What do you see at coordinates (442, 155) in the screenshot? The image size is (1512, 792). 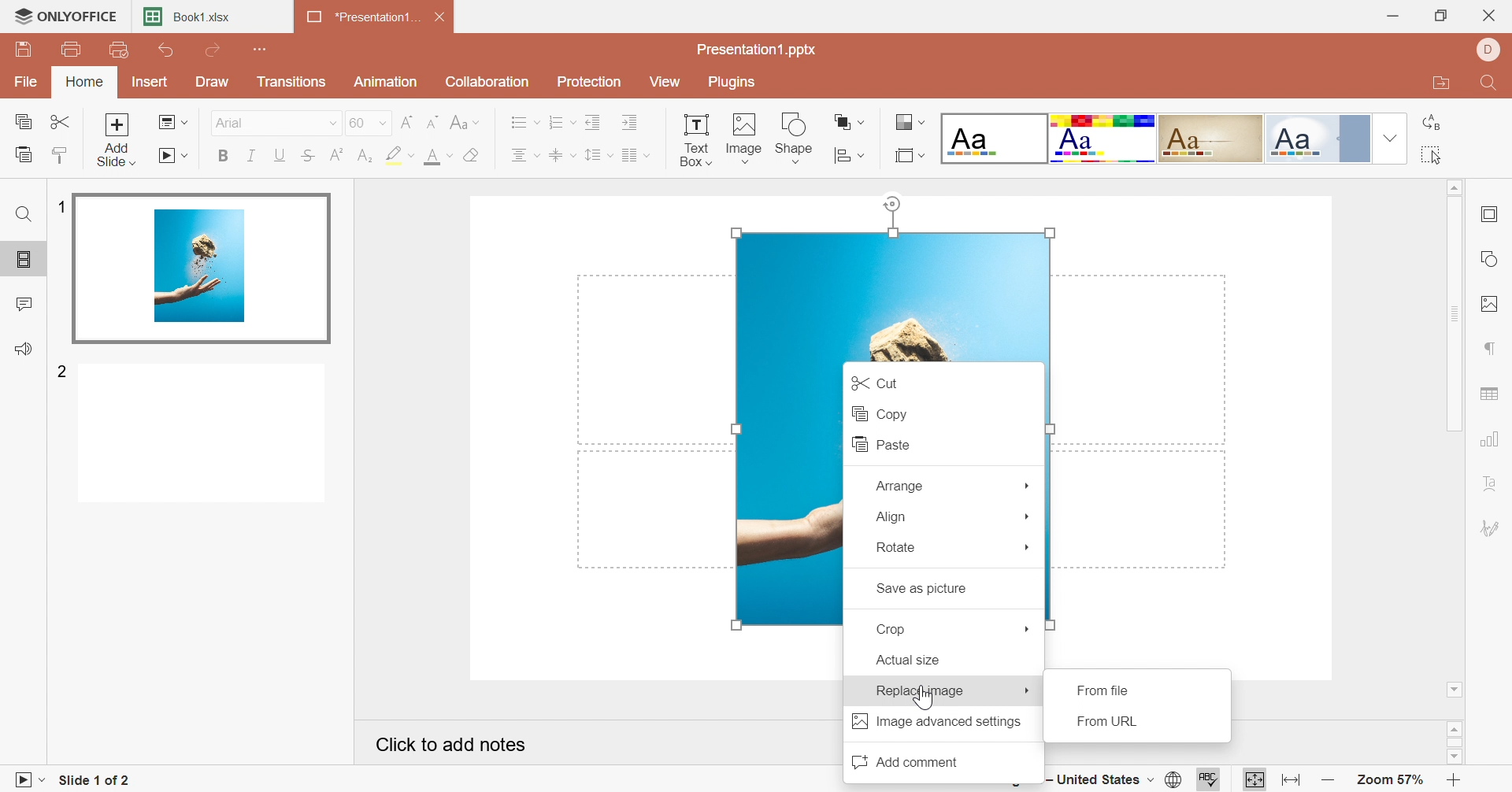 I see `Font color` at bounding box center [442, 155].